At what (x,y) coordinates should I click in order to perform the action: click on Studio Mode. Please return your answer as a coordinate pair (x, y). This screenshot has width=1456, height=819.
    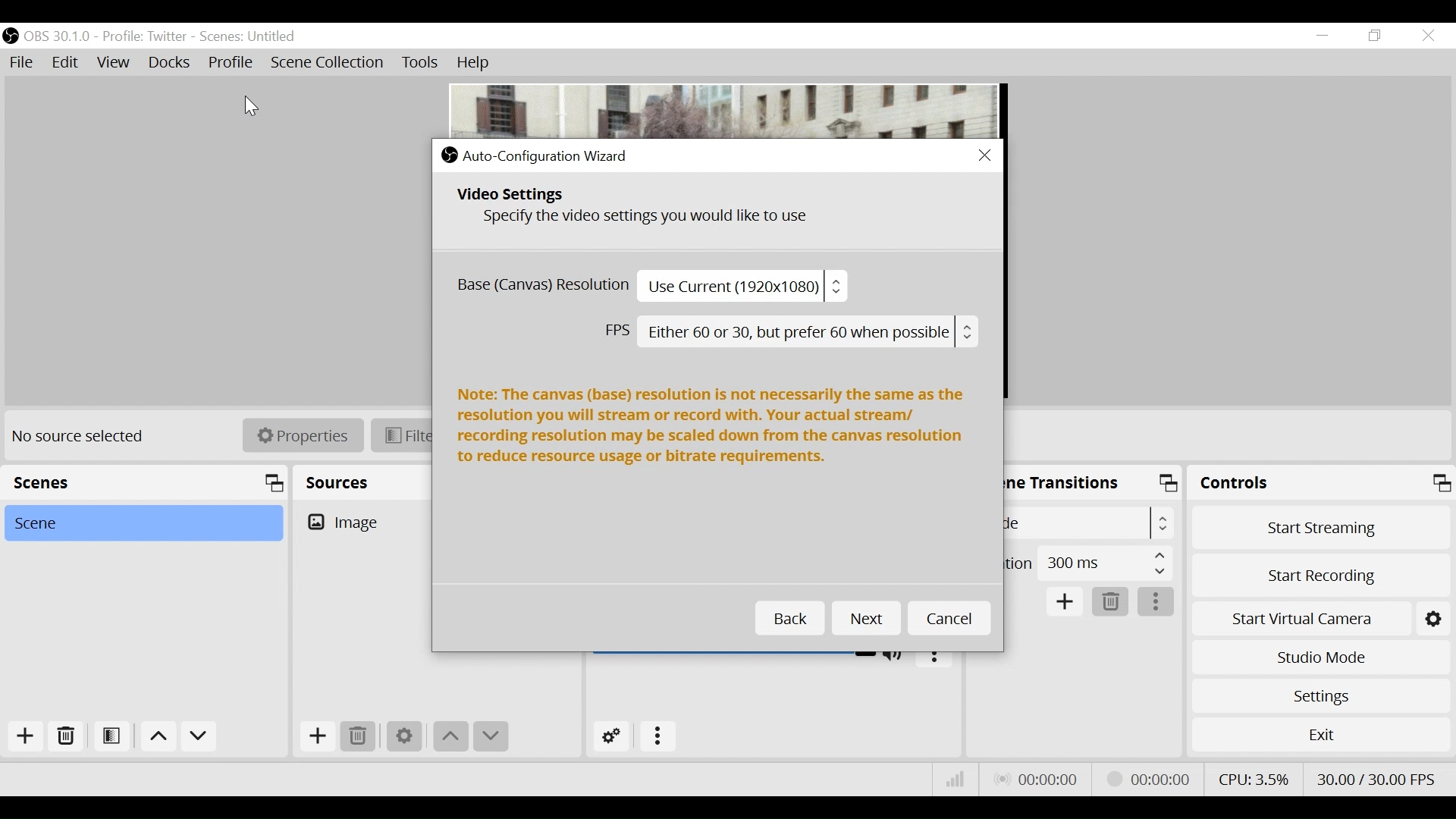
    Looking at the image, I should click on (1318, 659).